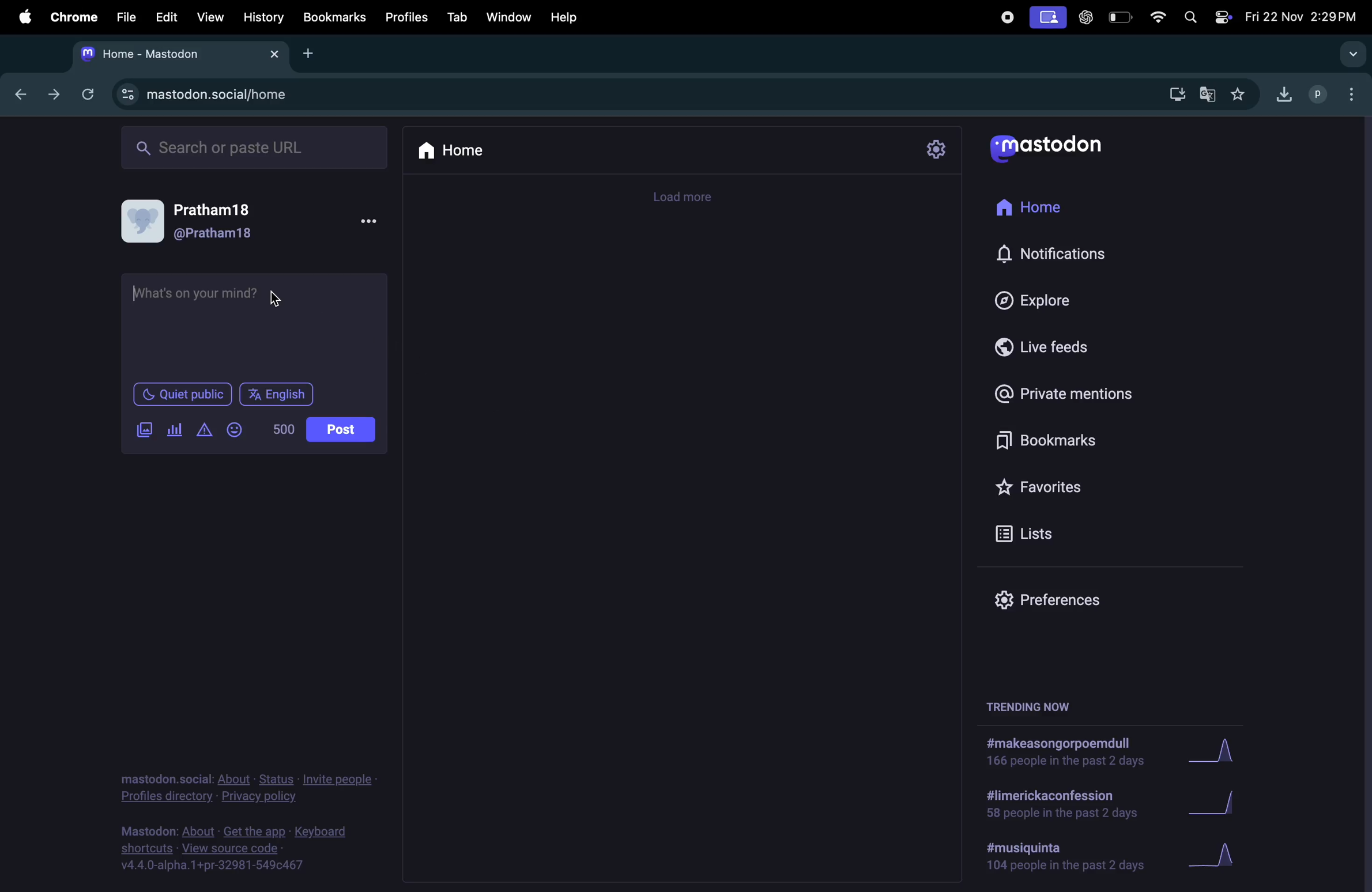 Image resolution: width=1372 pixels, height=892 pixels. What do you see at coordinates (1155, 17) in the screenshot?
I see `wifi` at bounding box center [1155, 17].